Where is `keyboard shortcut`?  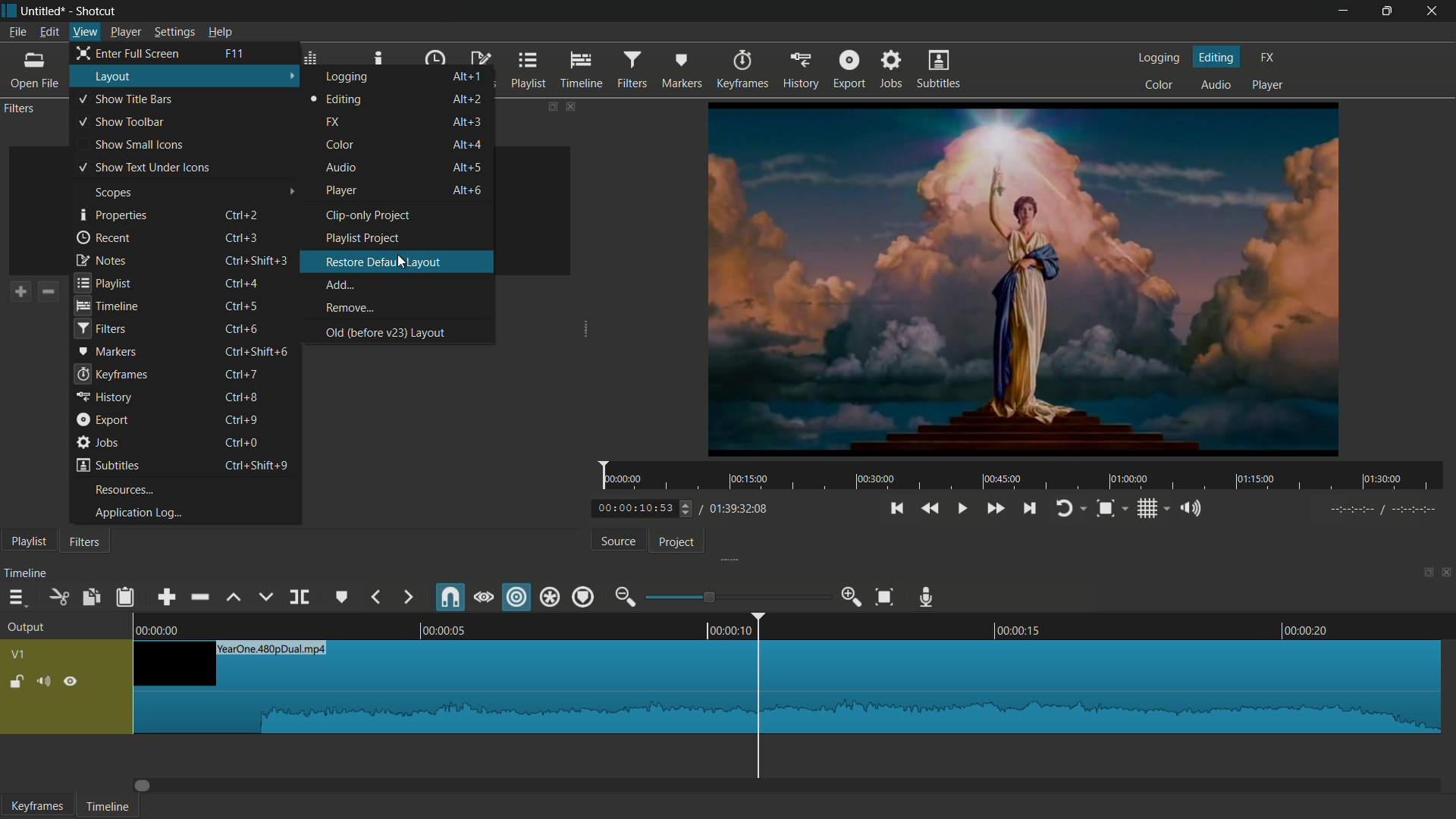
keyboard shortcut is located at coordinates (241, 236).